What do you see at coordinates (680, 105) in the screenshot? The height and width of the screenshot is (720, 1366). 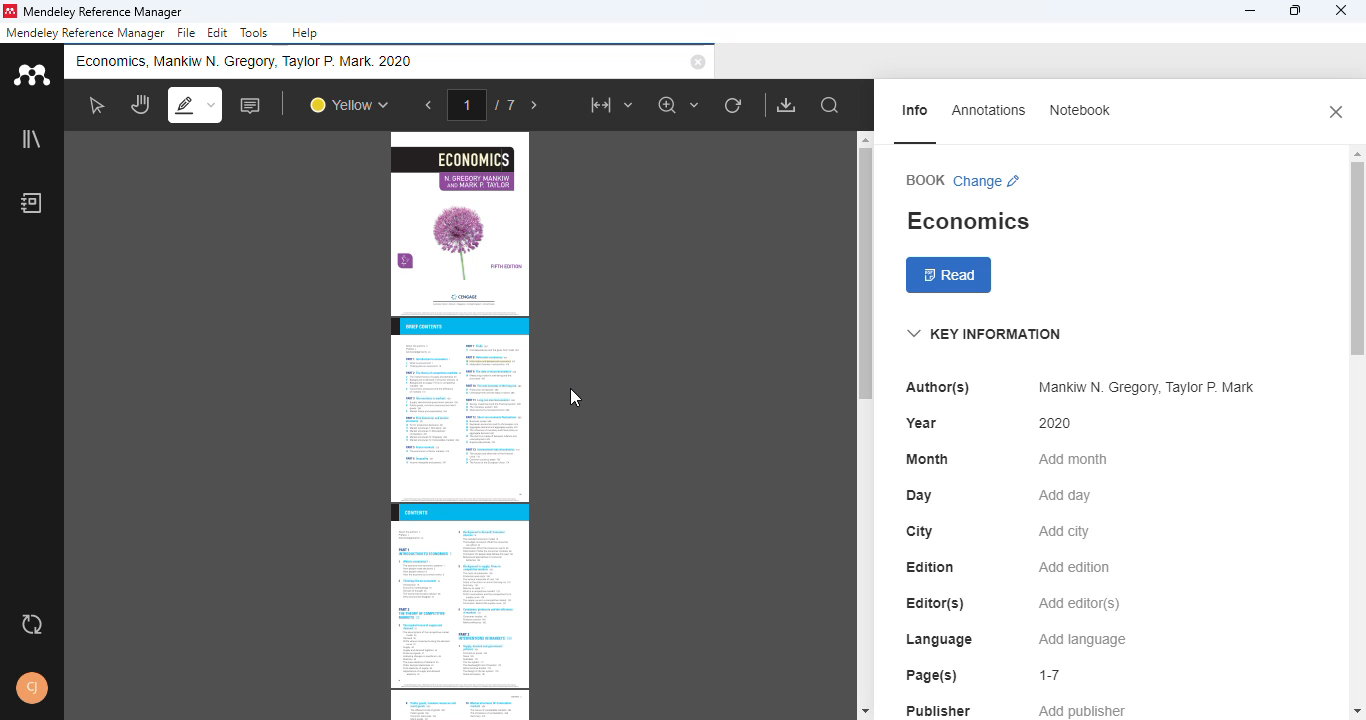 I see `zoom in & out` at bounding box center [680, 105].